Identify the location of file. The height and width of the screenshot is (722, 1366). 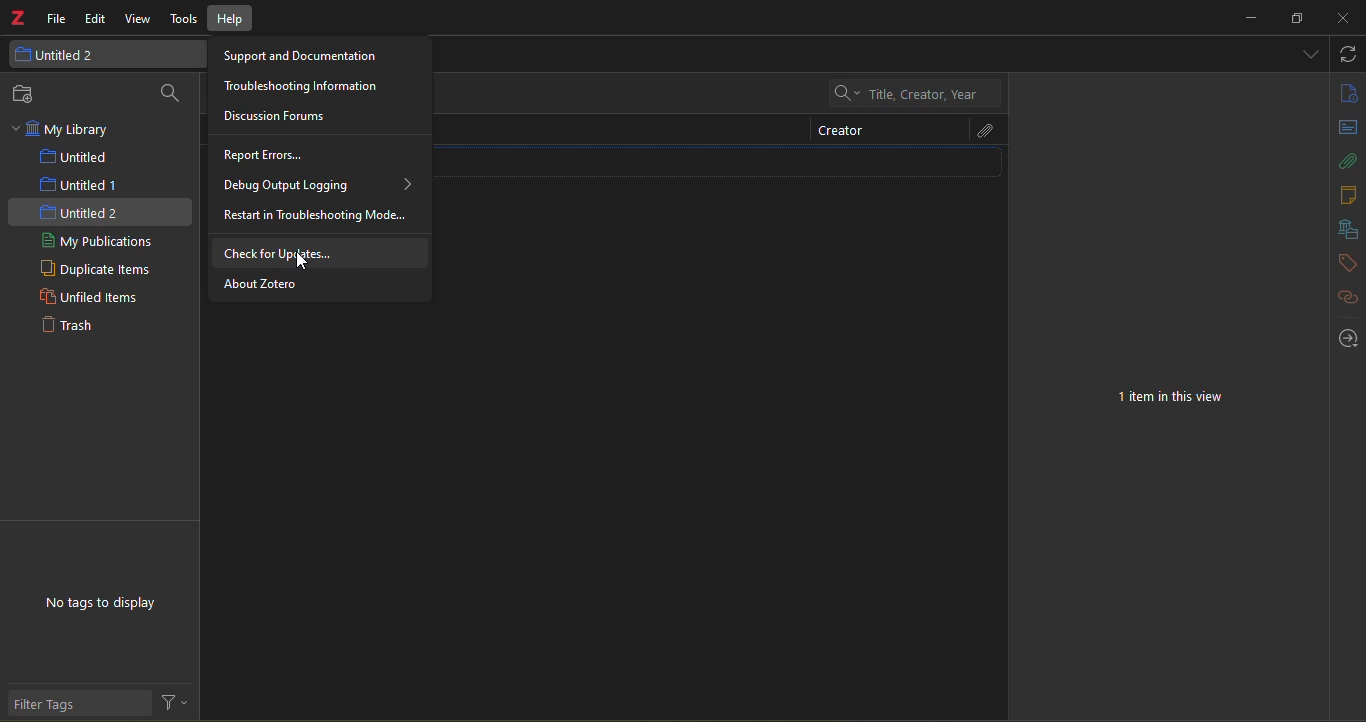
(57, 20).